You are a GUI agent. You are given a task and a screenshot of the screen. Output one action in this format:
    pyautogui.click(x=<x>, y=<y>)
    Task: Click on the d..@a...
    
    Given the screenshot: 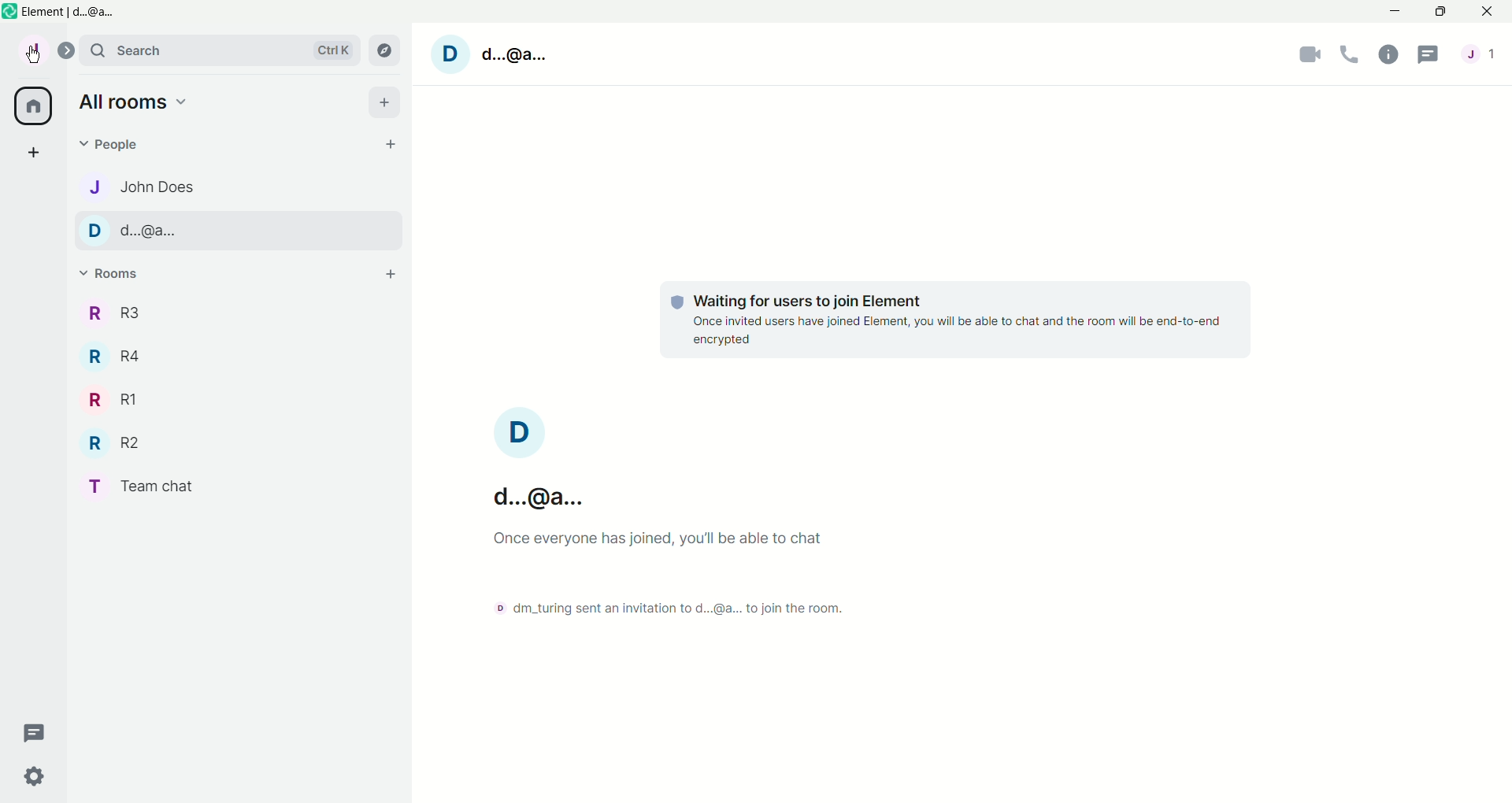 What is the action you would take?
    pyautogui.click(x=539, y=498)
    